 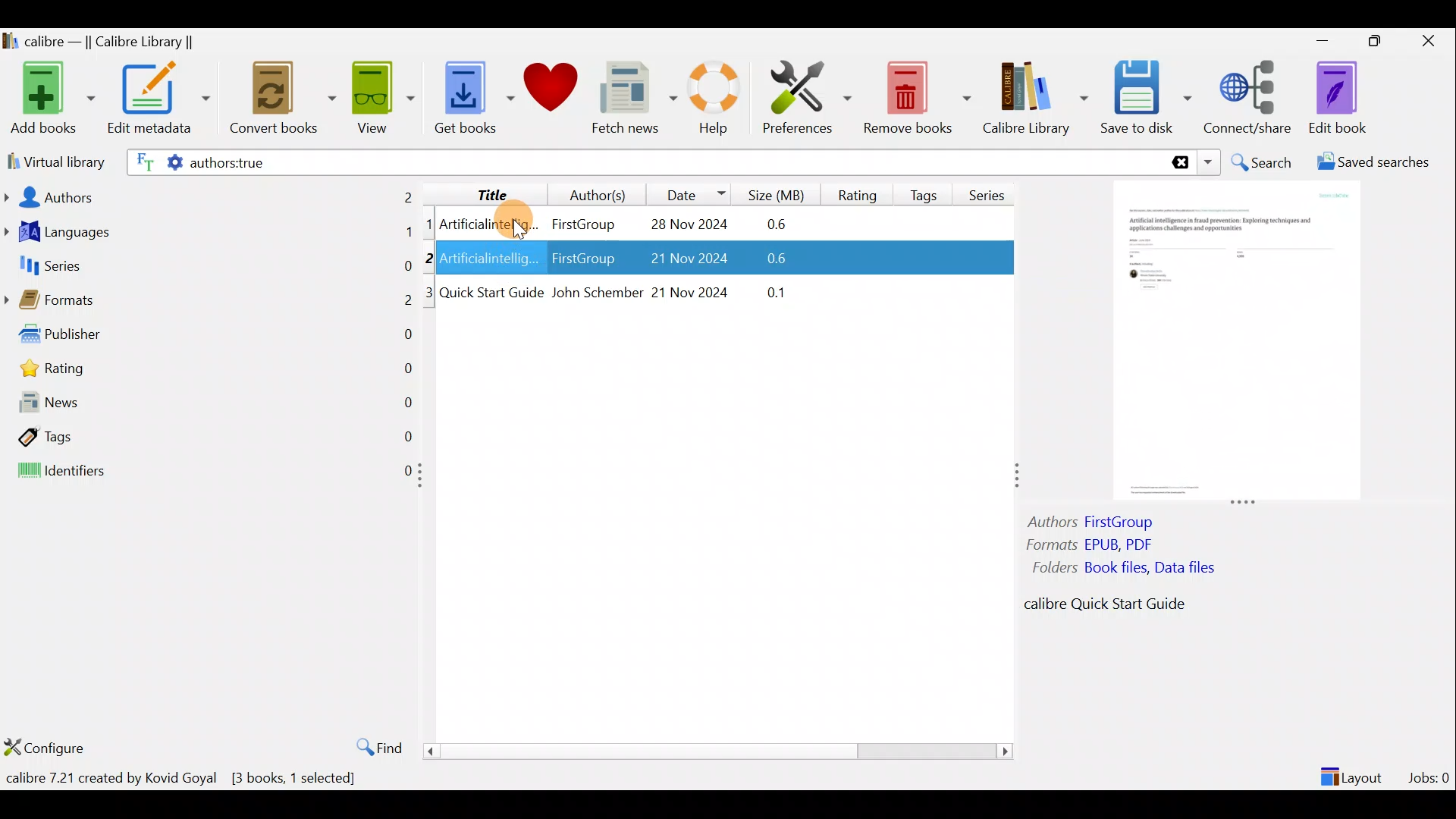 What do you see at coordinates (1097, 607) in the screenshot?
I see `calibre Quick Start Guide` at bounding box center [1097, 607].